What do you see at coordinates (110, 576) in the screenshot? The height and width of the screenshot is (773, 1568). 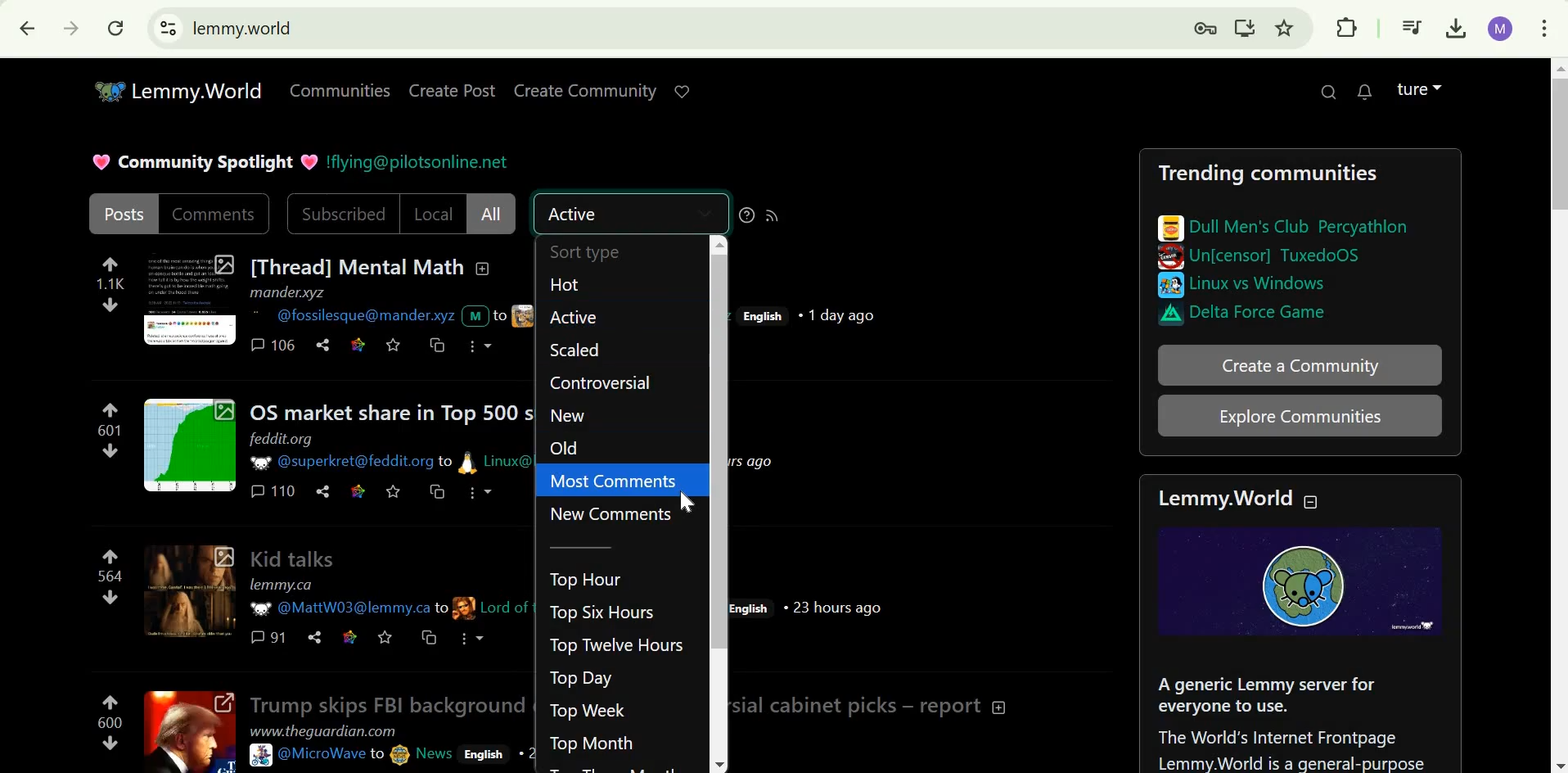 I see `564 points` at bounding box center [110, 576].